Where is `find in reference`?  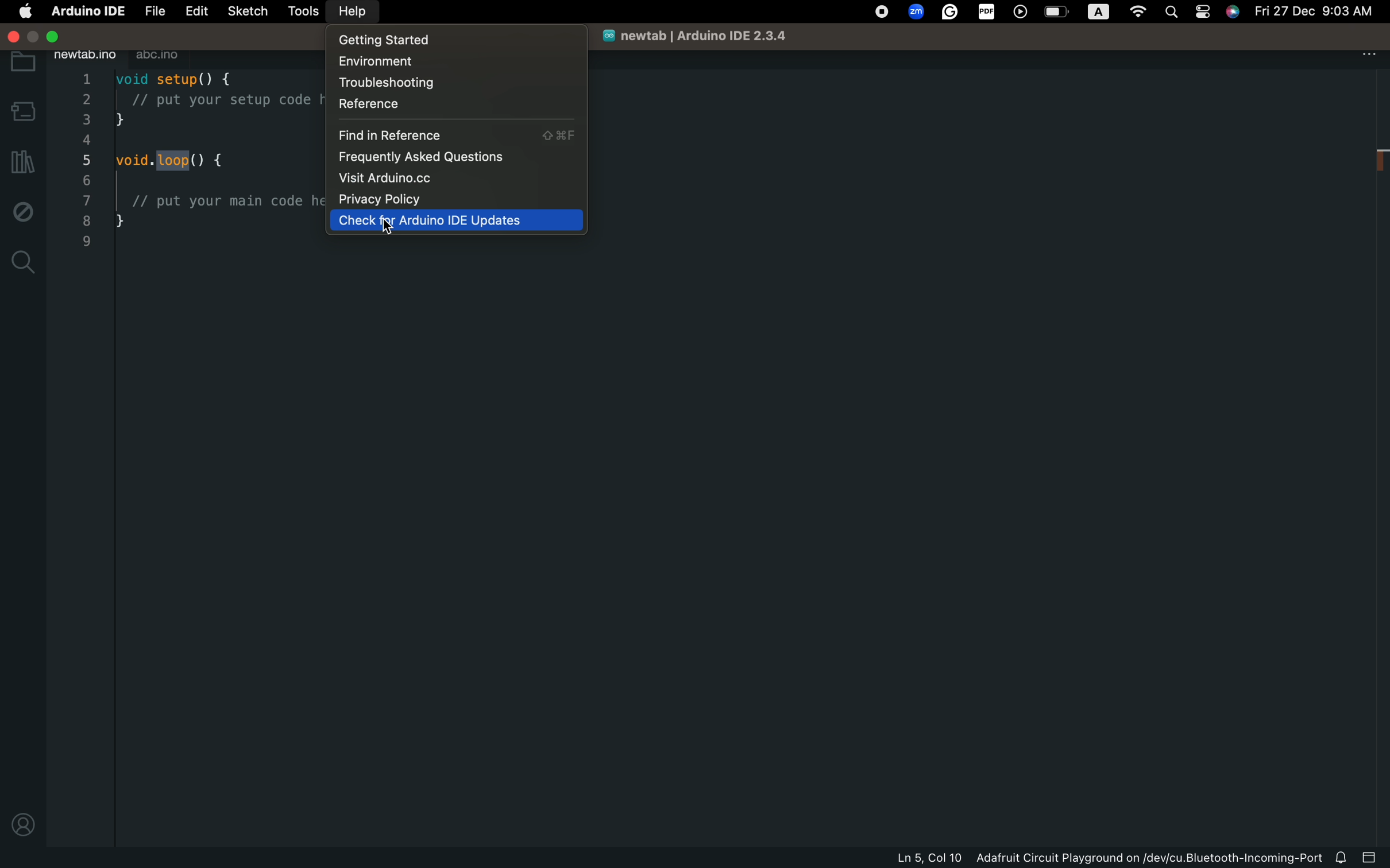
find in reference is located at coordinates (457, 135).